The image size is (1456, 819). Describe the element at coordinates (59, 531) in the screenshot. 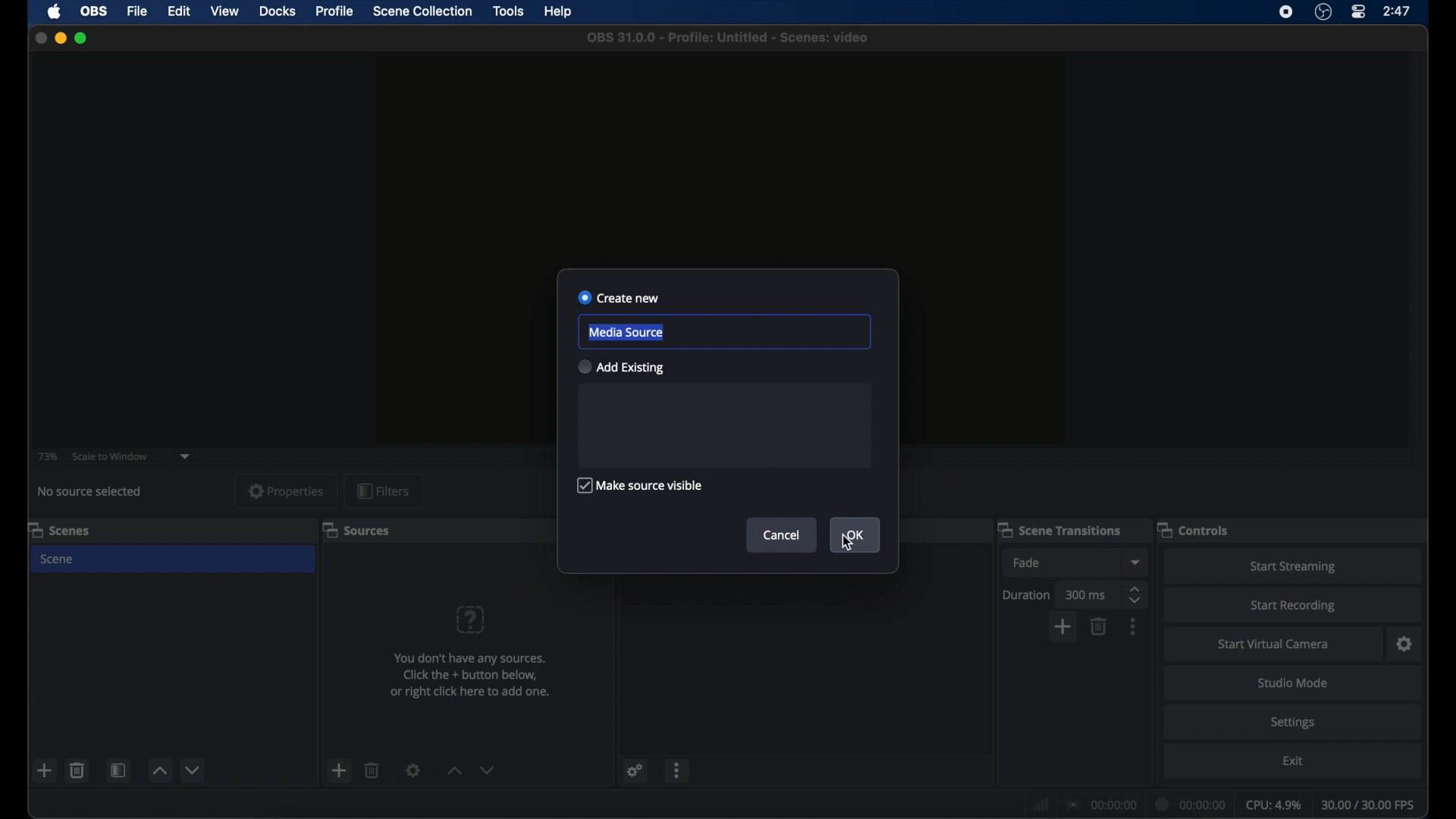

I see `scenes` at that location.